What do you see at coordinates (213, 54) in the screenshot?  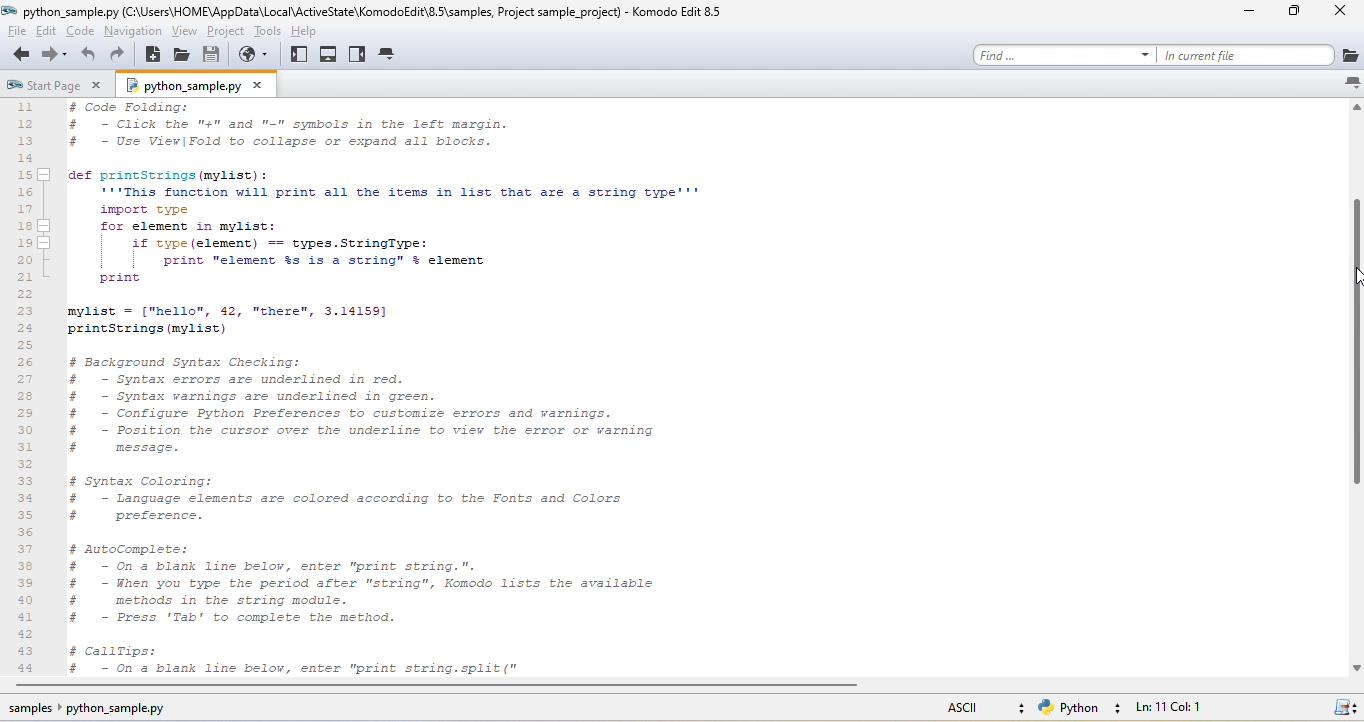 I see `save` at bounding box center [213, 54].